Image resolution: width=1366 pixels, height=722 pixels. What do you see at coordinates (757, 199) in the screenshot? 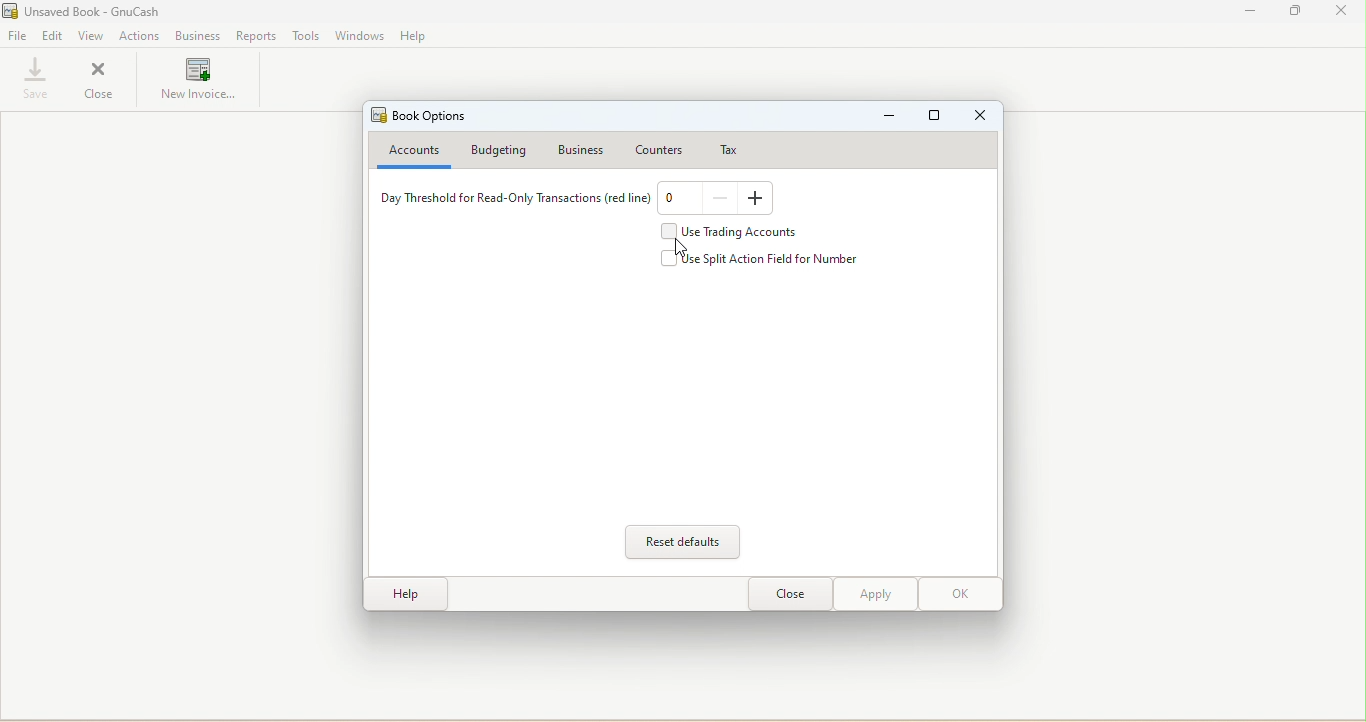
I see `Increase` at bounding box center [757, 199].